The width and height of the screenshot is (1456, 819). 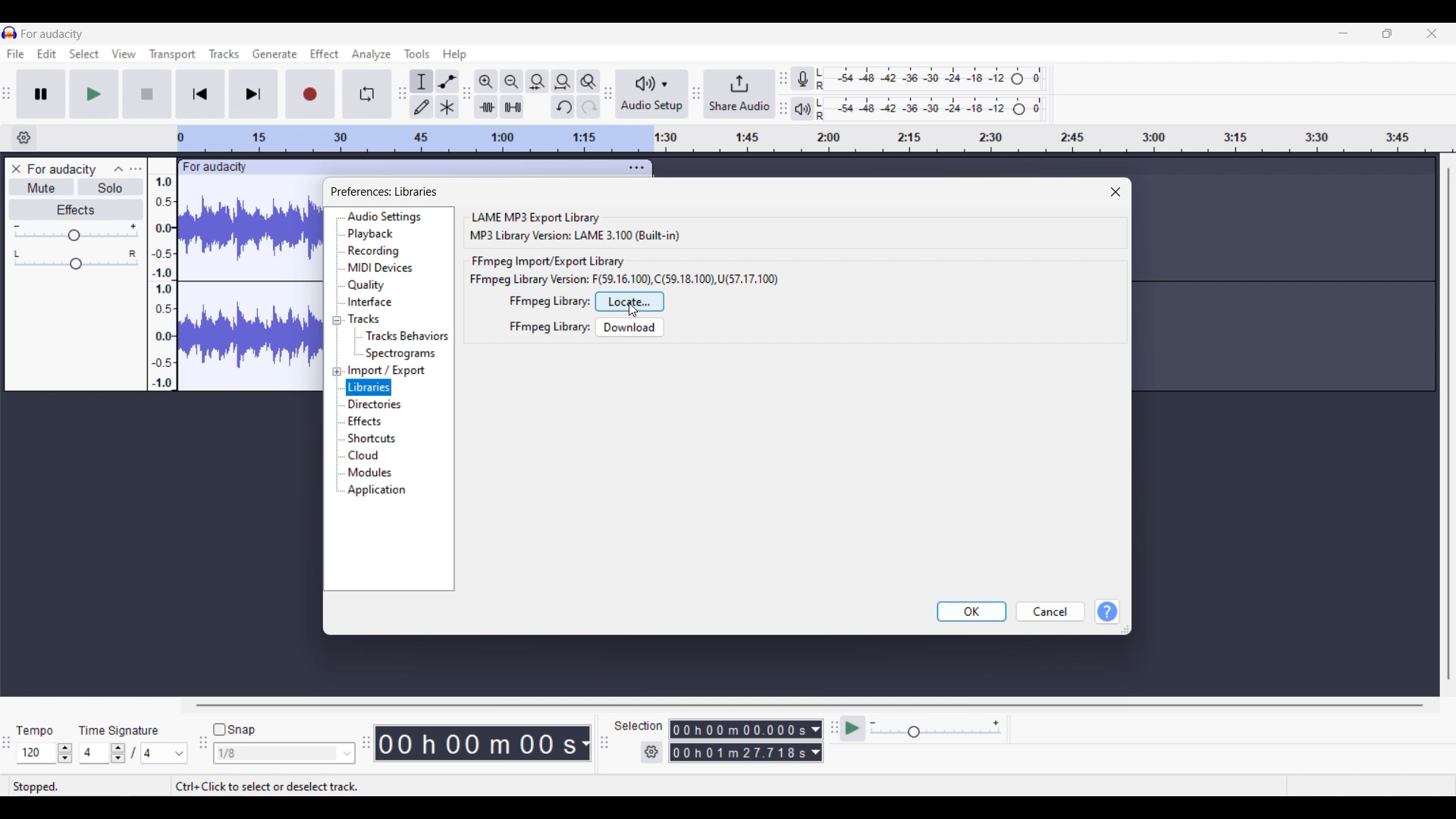 What do you see at coordinates (739, 742) in the screenshot?
I see `Selection duration` at bounding box center [739, 742].